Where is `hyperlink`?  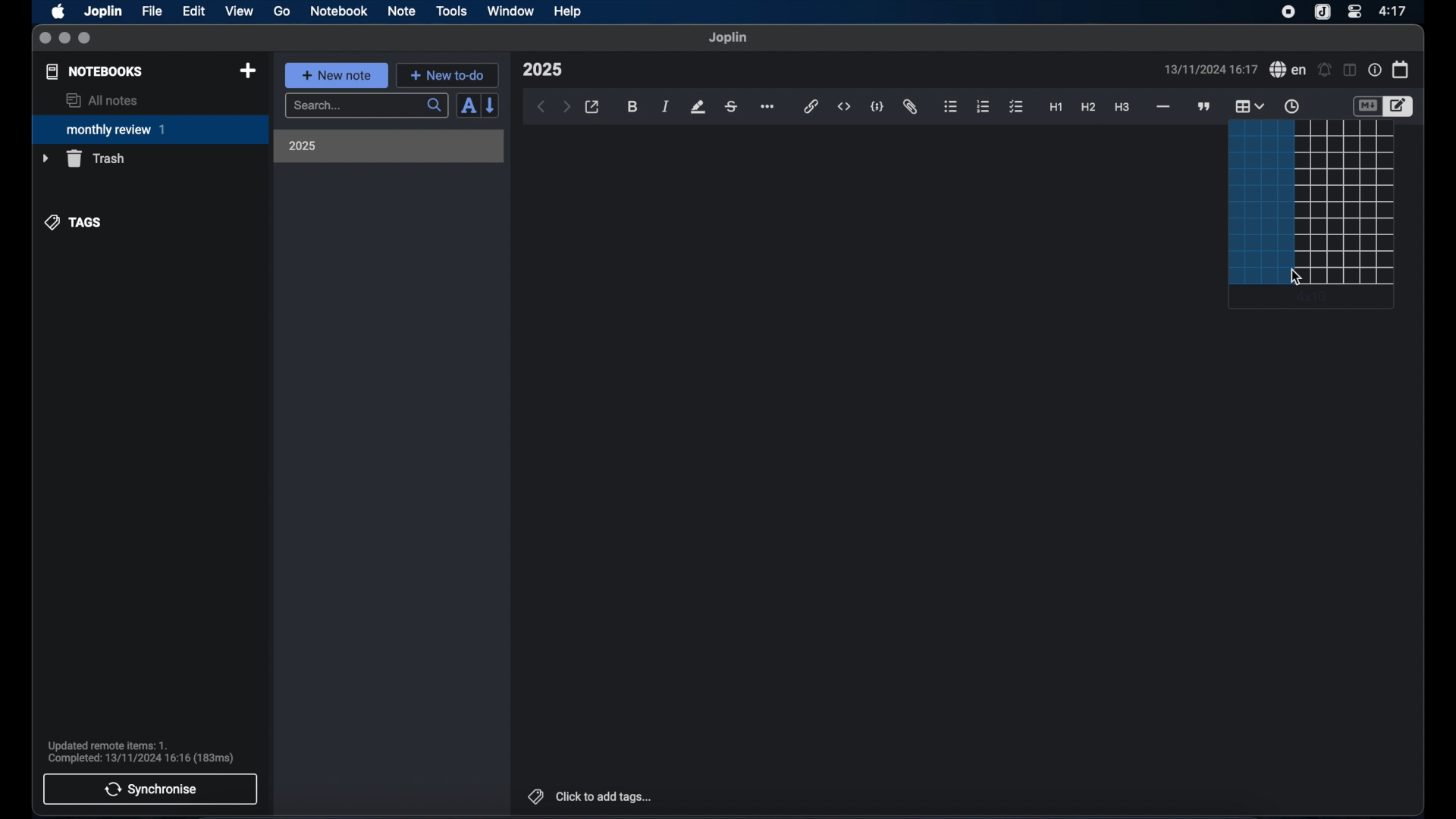
hyperlink is located at coordinates (811, 106).